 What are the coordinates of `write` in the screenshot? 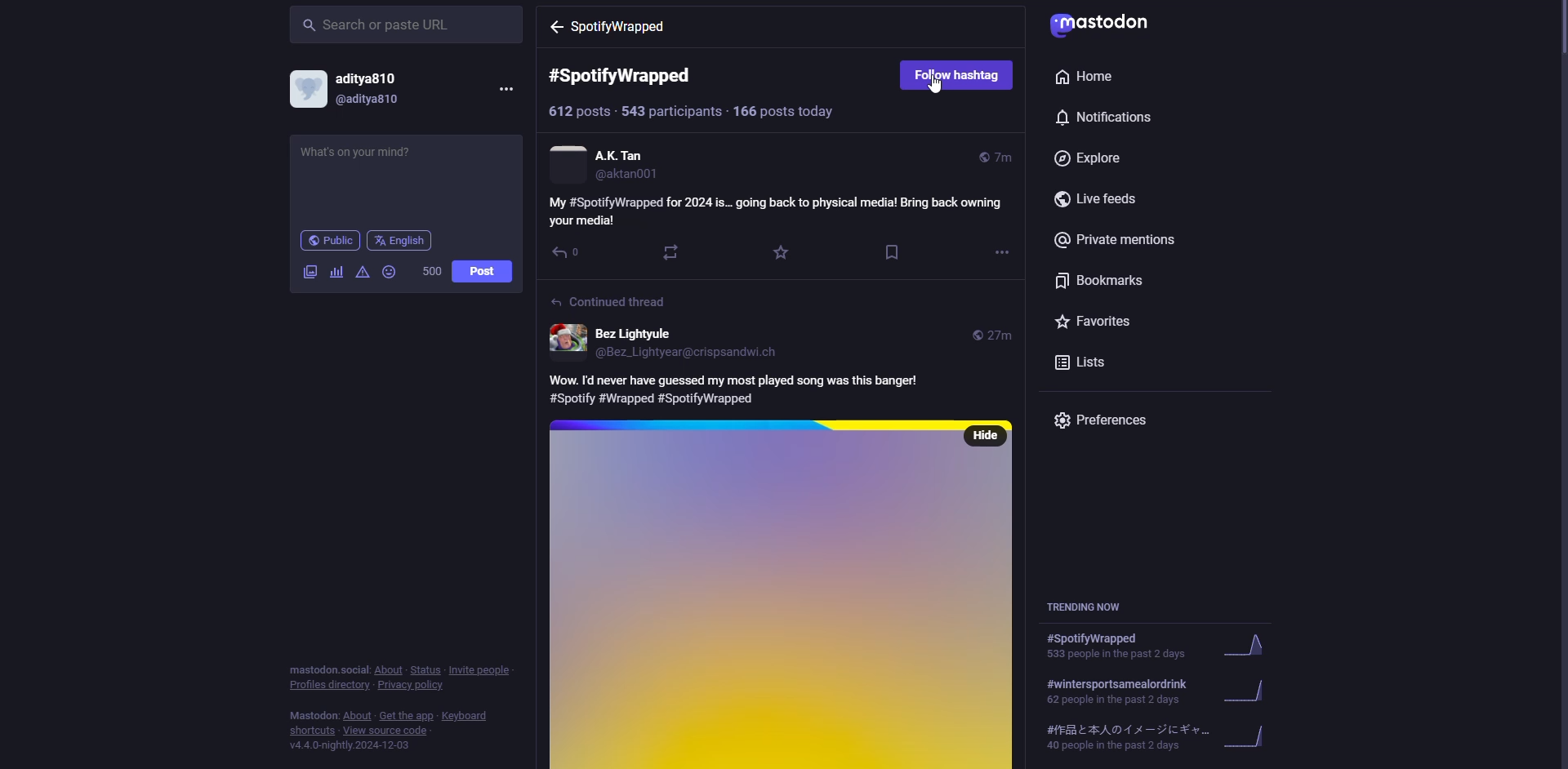 It's located at (373, 166).